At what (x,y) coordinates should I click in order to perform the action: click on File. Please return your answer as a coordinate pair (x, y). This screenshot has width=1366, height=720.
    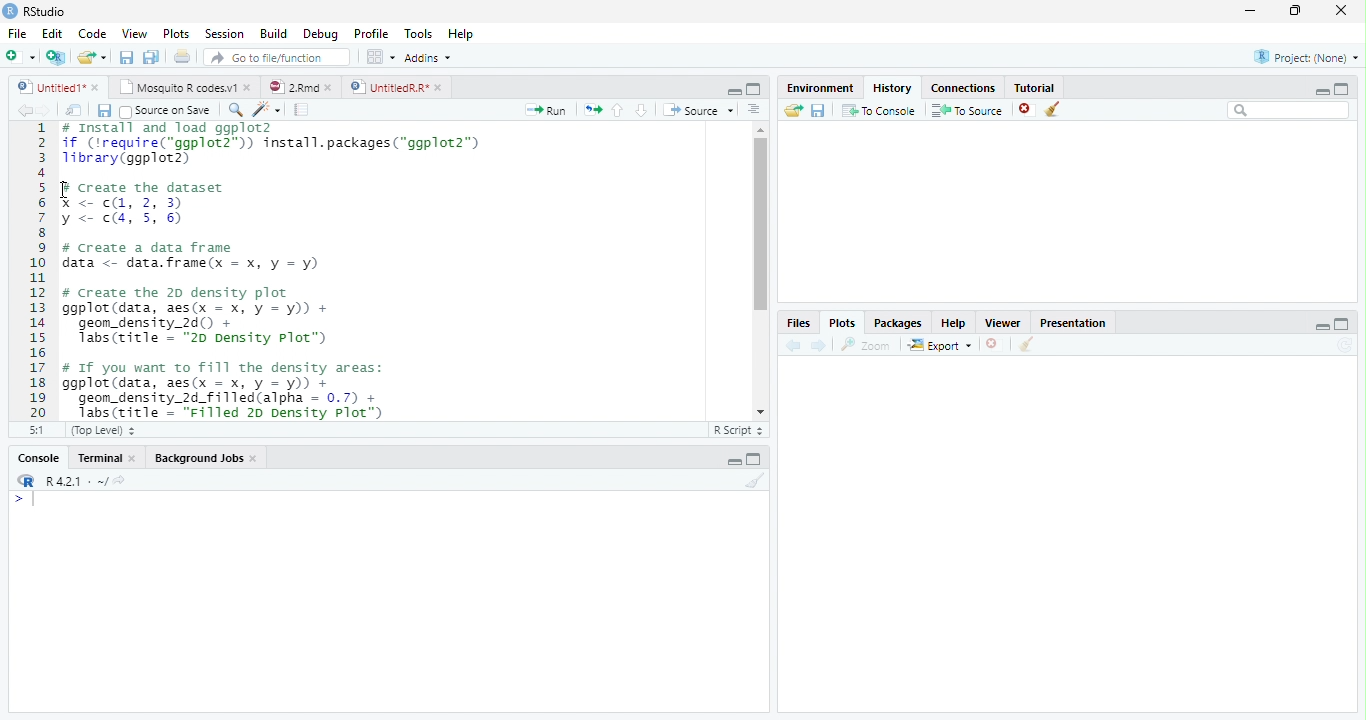
    Looking at the image, I should click on (17, 35).